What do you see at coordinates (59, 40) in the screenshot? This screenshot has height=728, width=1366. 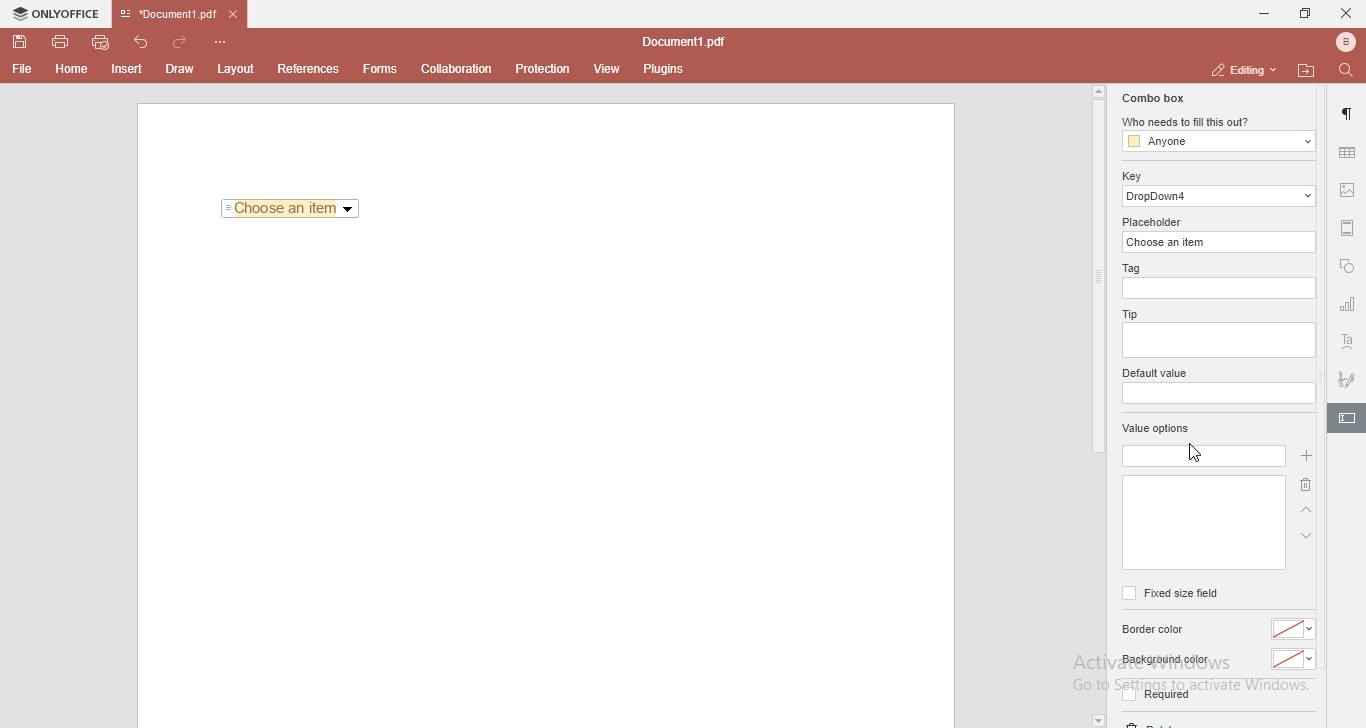 I see `print` at bounding box center [59, 40].